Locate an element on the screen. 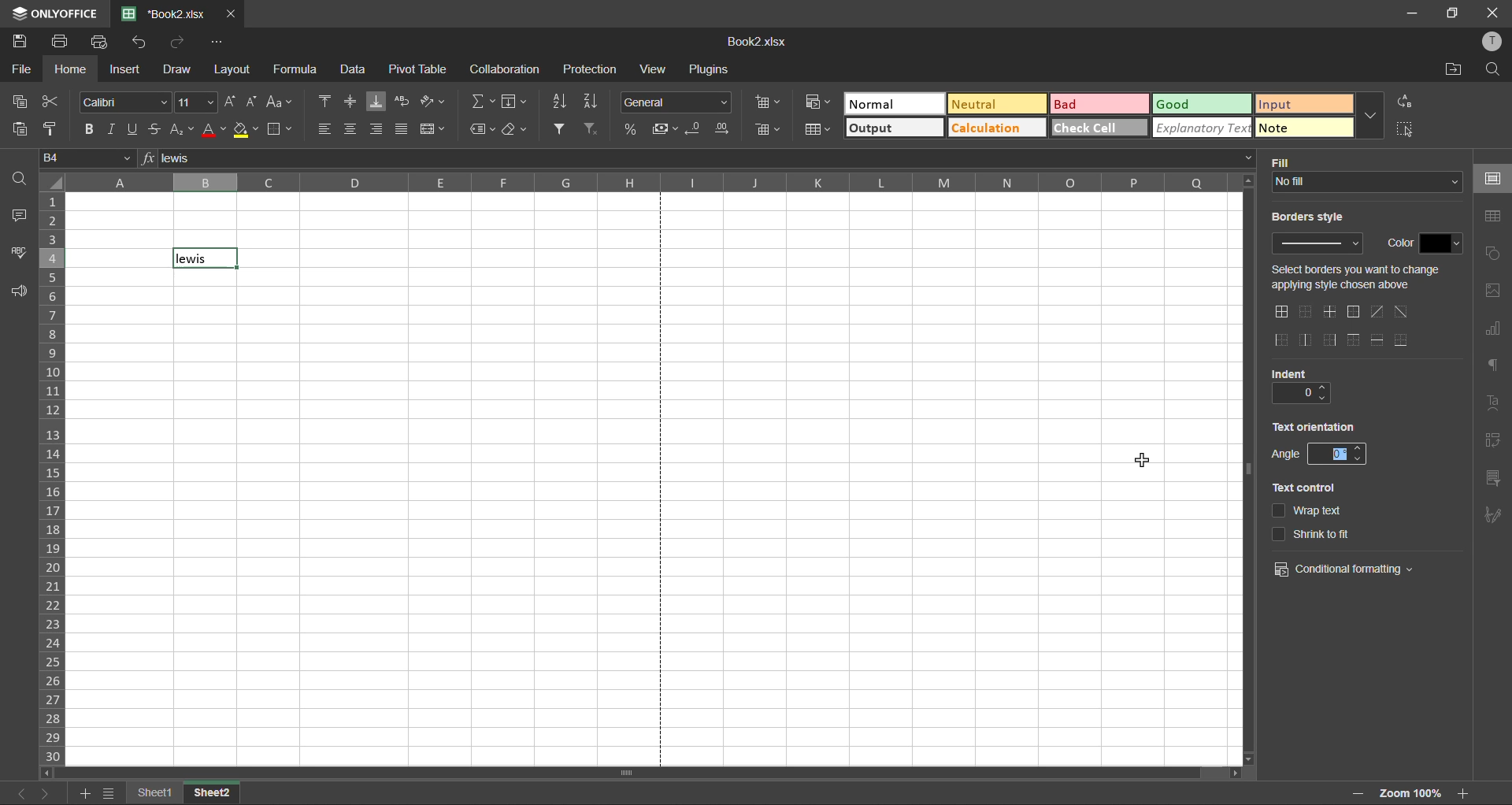 This screenshot has height=805, width=1512. move left is located at coordinates (47, 774).